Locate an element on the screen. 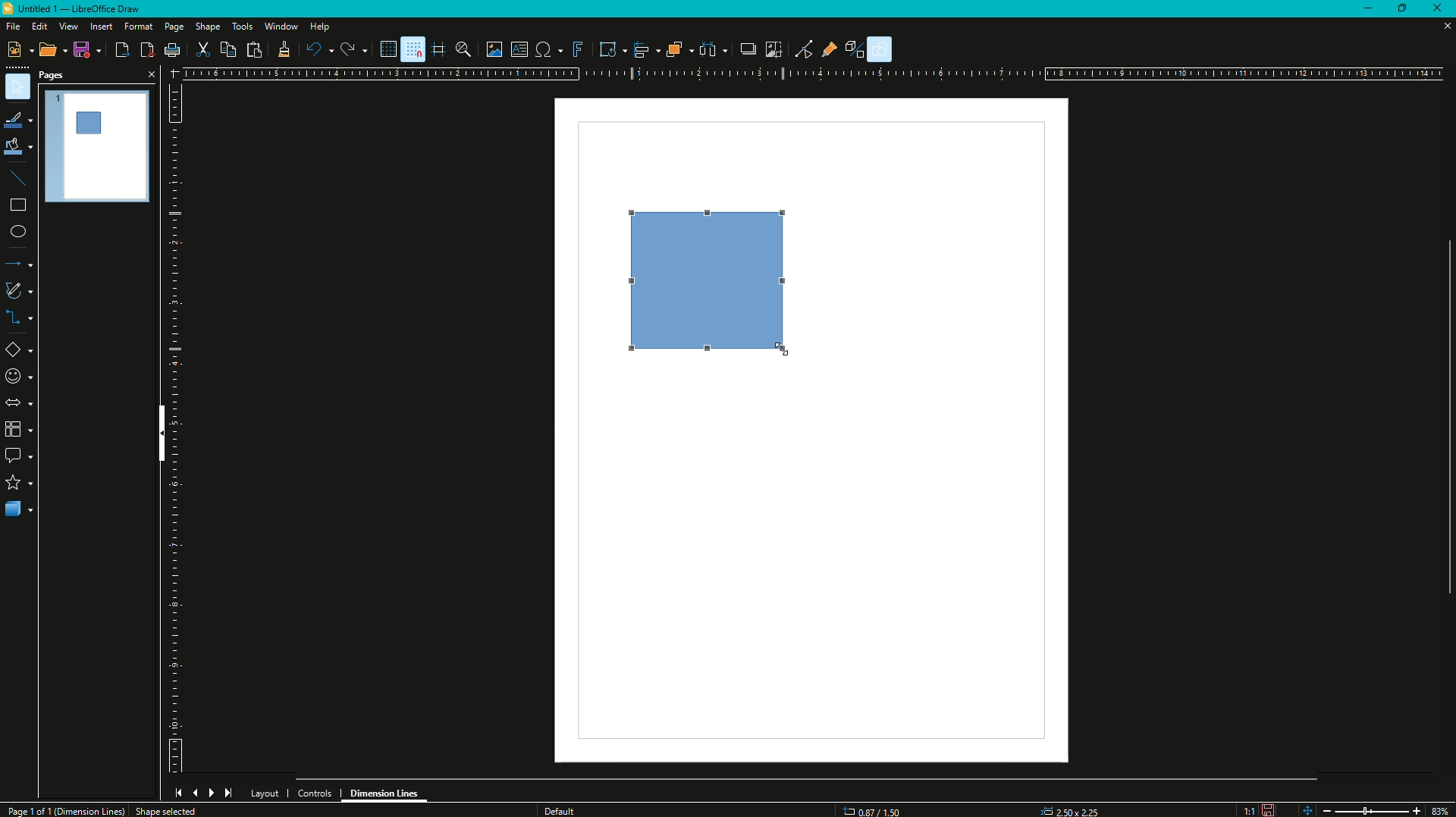 The height and width of the screenshot is (817, 1456). Stars and Banners is located at coordinates (19, 484).